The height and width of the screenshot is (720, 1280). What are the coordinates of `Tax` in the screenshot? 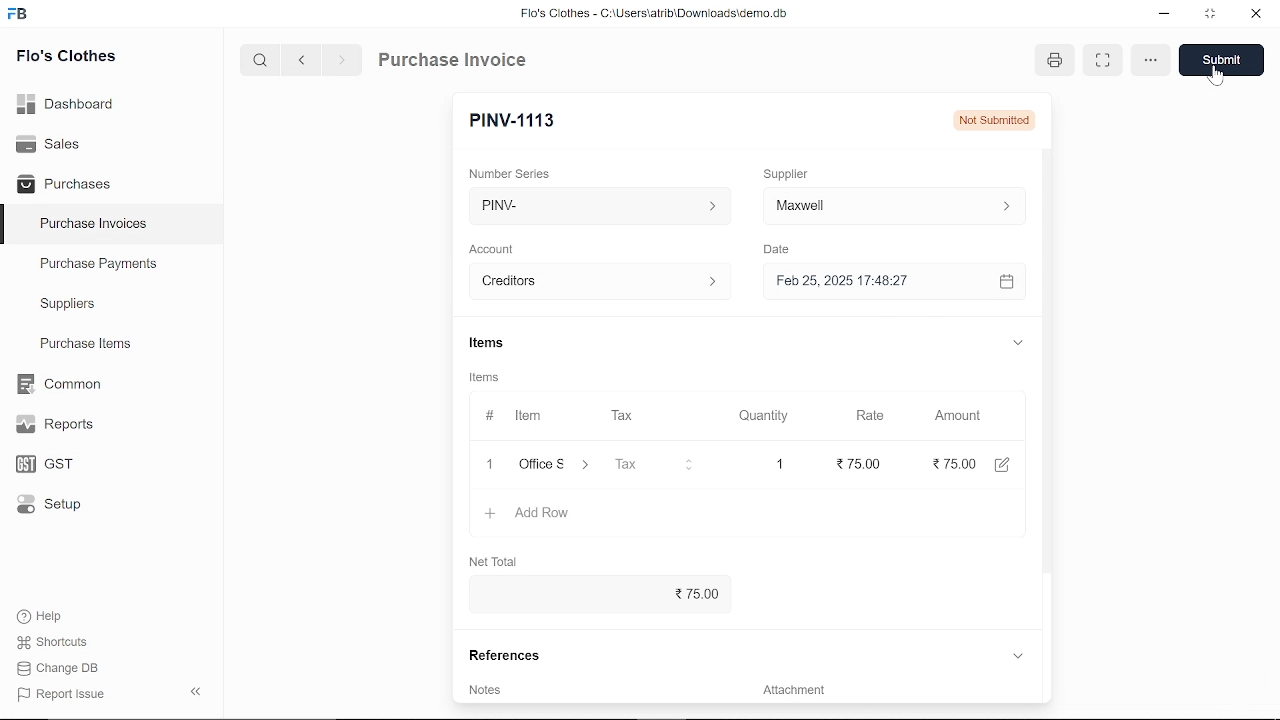 It's located at (626, 416).